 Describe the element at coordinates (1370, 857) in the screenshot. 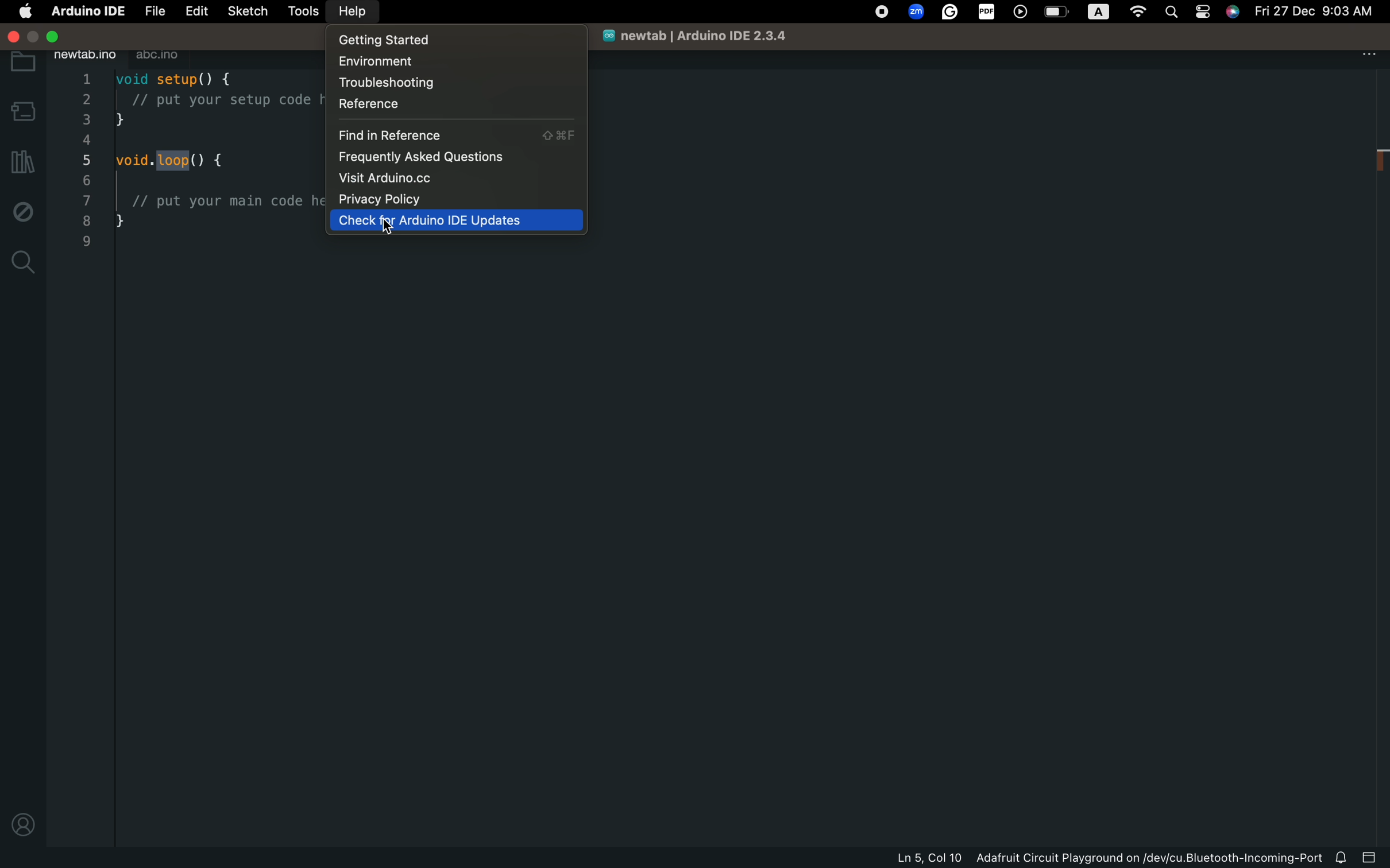

I see `close slide bar` at that location.